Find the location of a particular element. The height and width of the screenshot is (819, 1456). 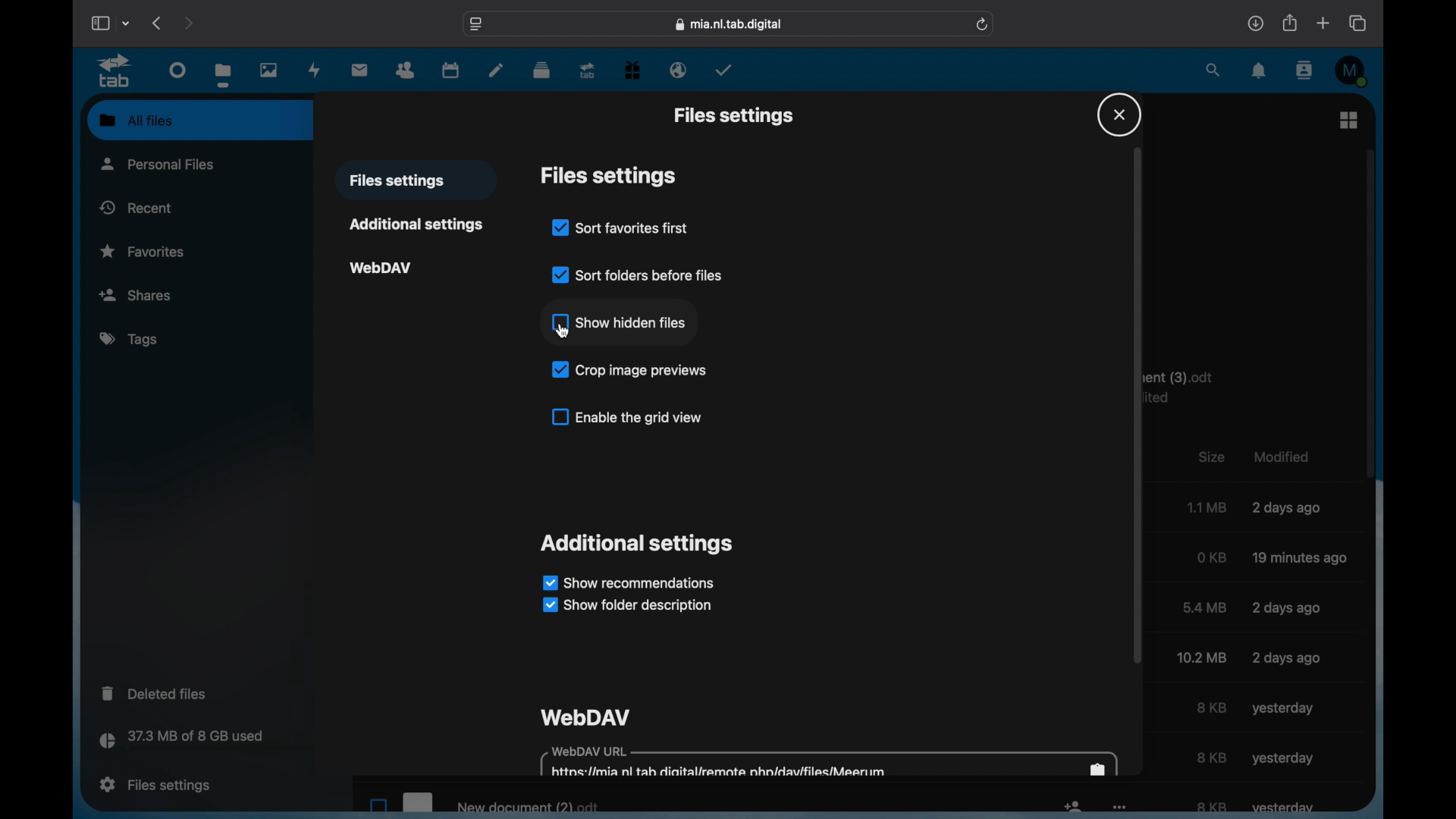

modified is located at coordinates (1301, 559).